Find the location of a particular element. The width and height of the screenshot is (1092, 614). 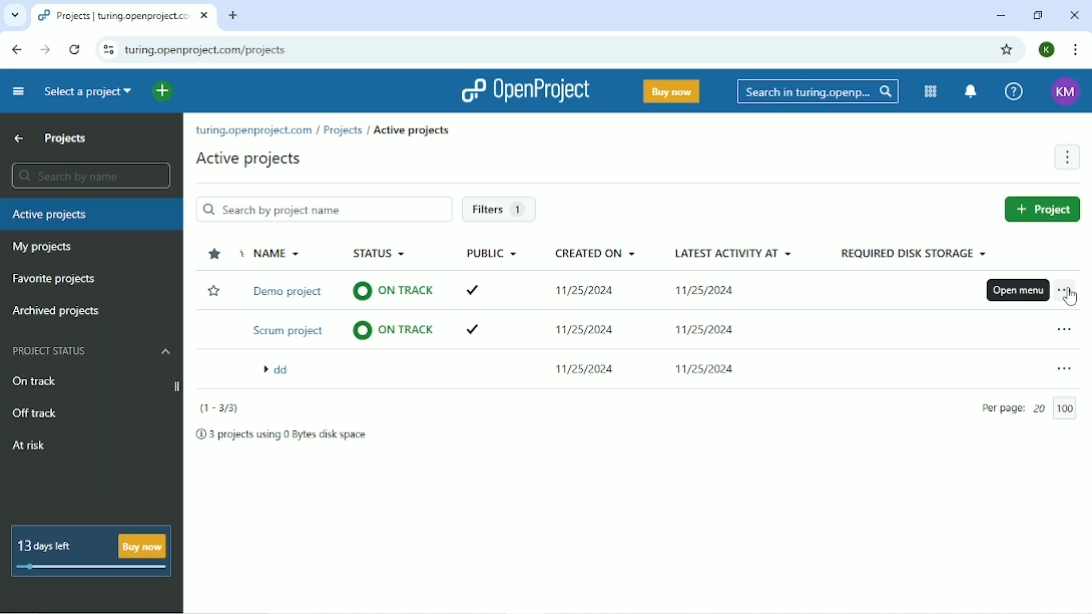

on track is located at coordinates (390, 293).